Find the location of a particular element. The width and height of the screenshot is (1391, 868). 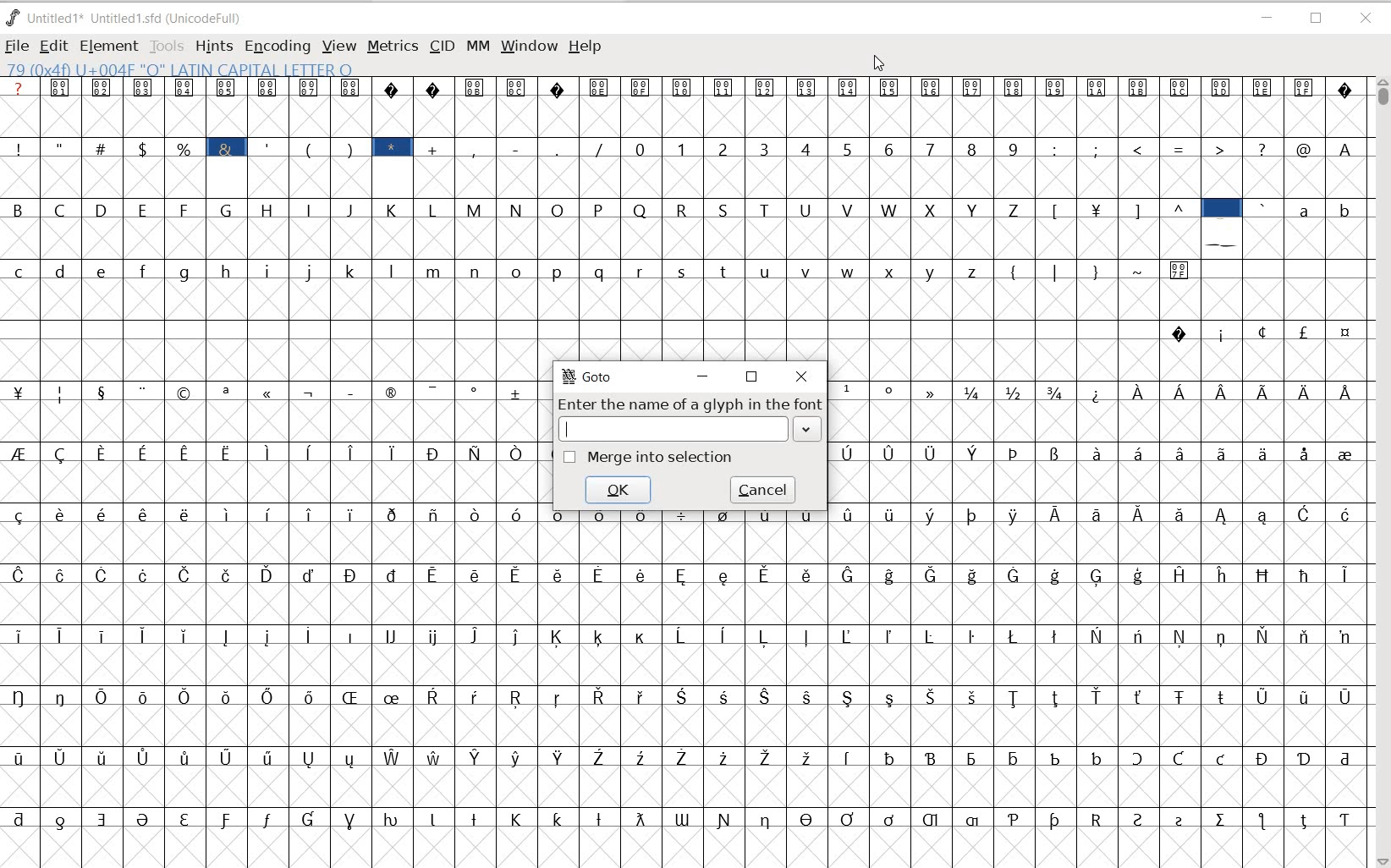

expand is located at coordinates (809, 430).